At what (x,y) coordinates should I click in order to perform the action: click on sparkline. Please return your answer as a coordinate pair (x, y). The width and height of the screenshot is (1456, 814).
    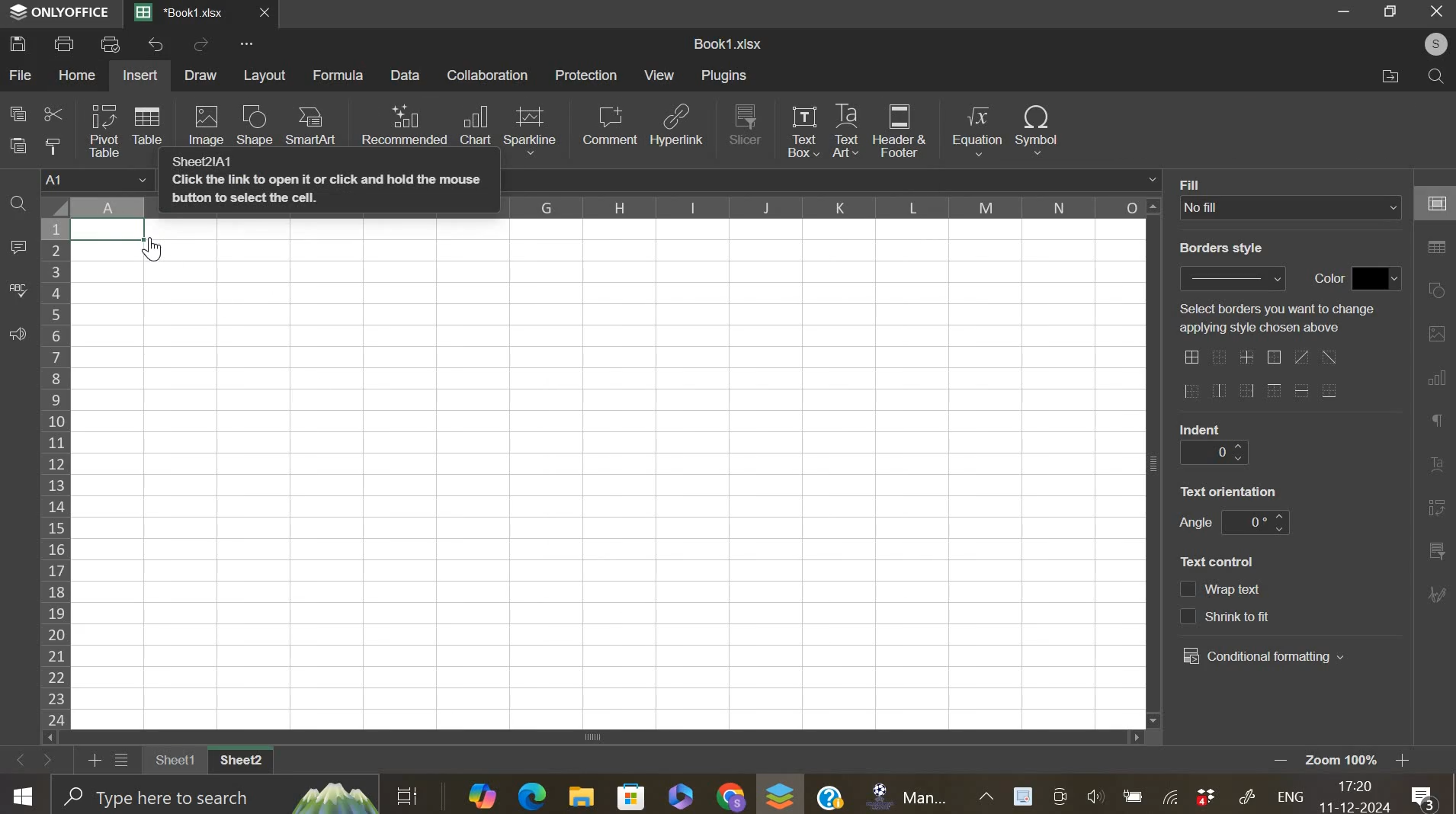
    Looking at the image, I should click on (530, 129).